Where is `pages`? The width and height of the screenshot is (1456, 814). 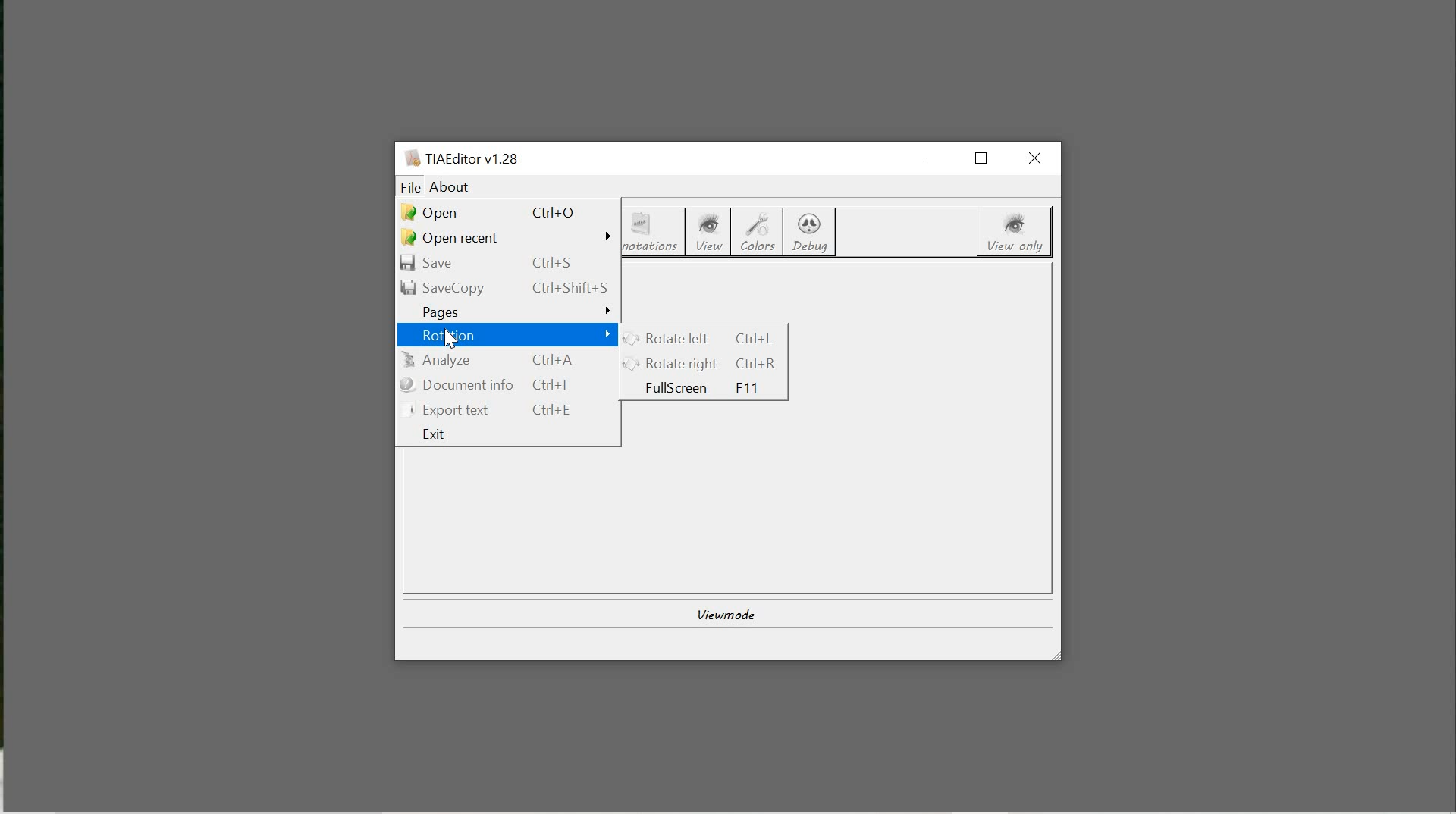 pages is located at coordinates (509, 311).